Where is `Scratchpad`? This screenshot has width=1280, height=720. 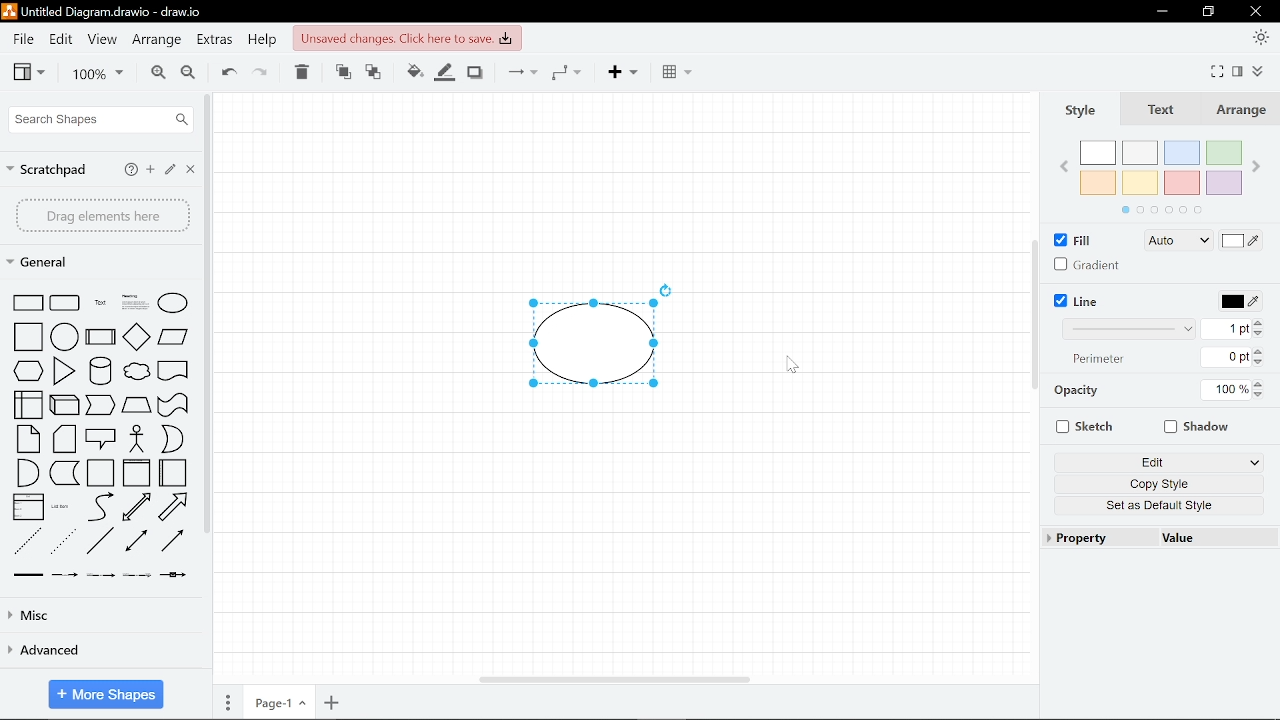 Scratchpad is located at coordinates (47, 169).